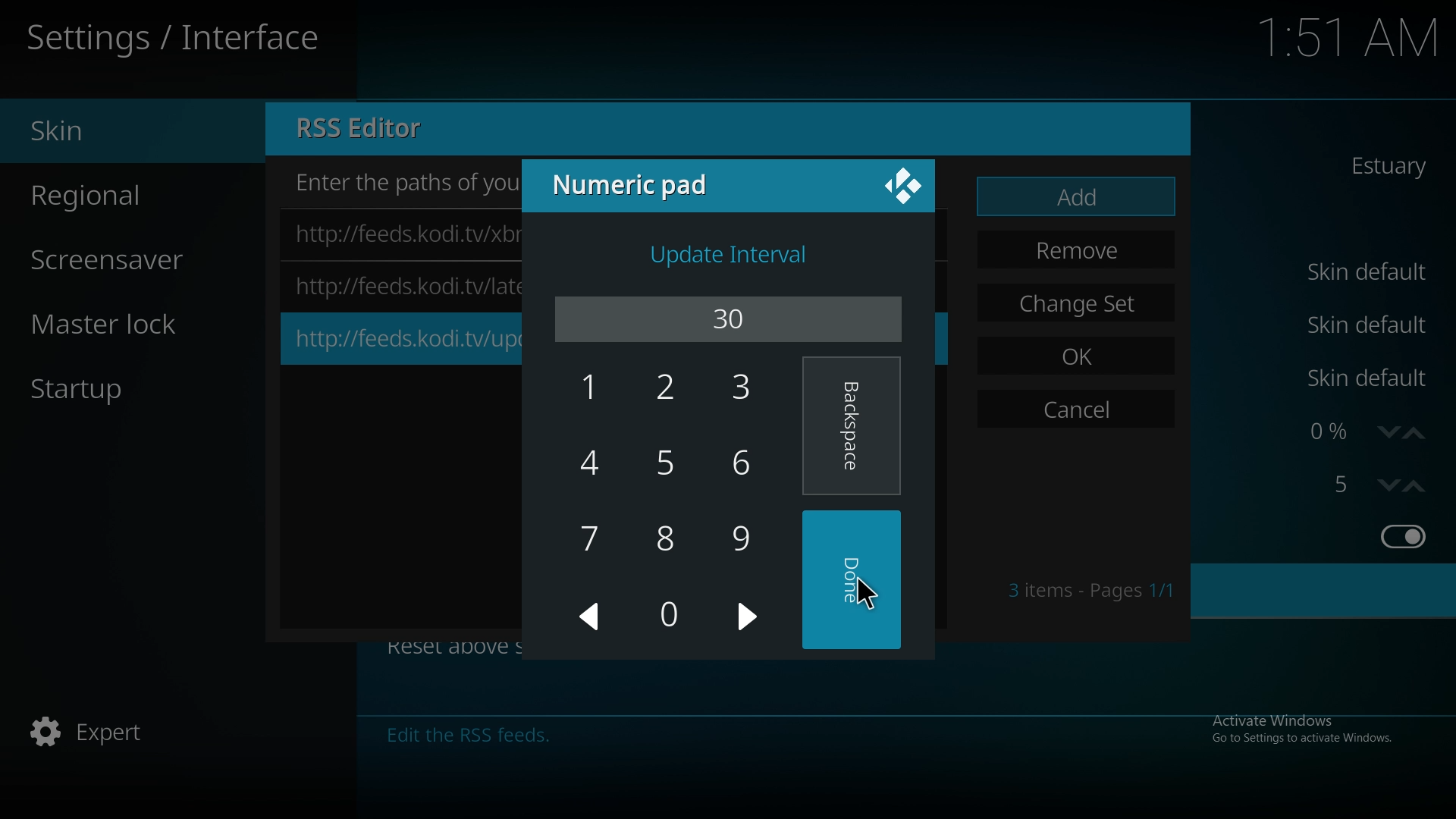 The height and width of the screenshot is (819, 1456). I want to click on zoom, so click(1326, 433).